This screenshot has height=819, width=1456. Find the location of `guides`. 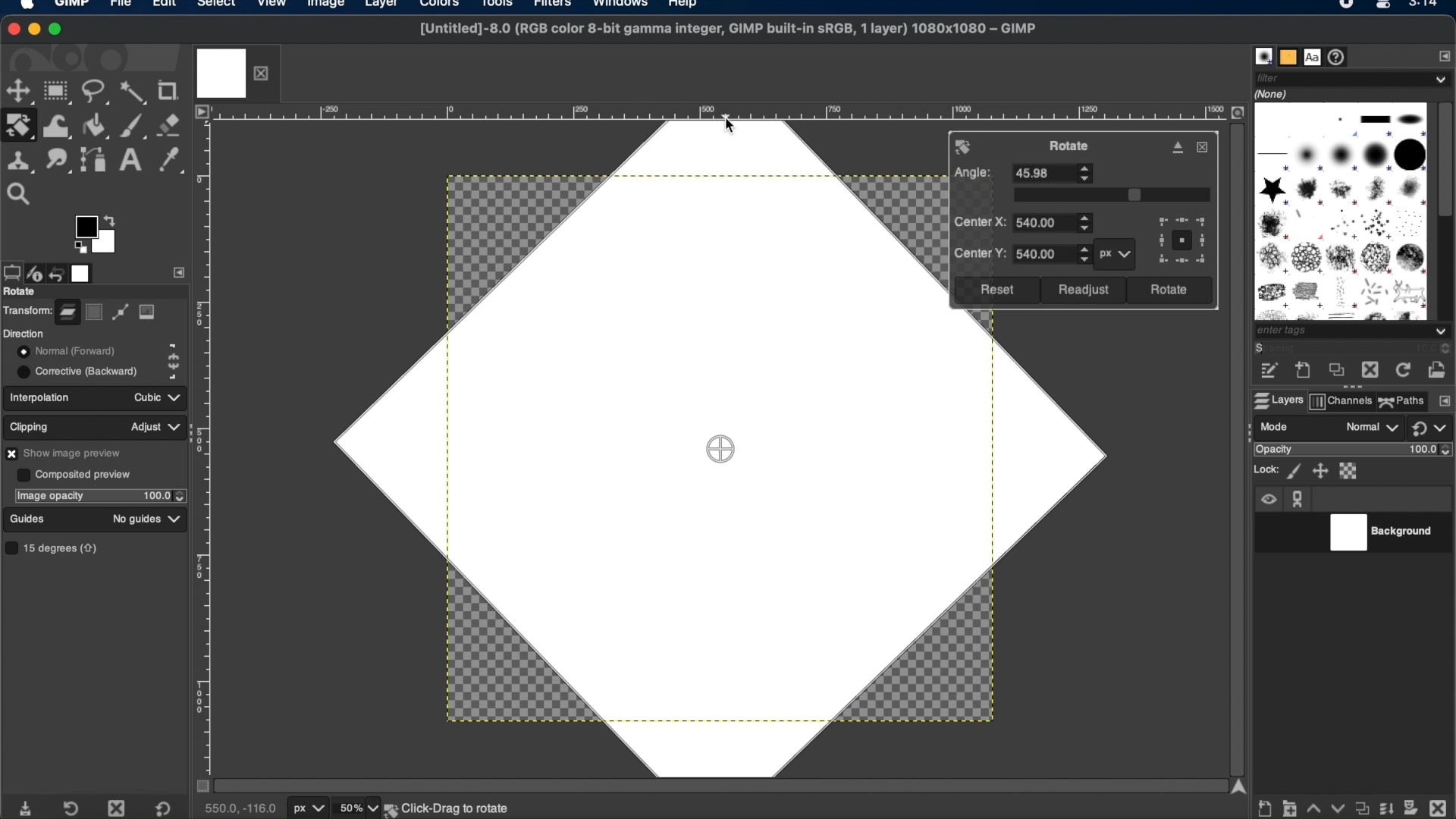

guides is located at coordinates (28, 519).